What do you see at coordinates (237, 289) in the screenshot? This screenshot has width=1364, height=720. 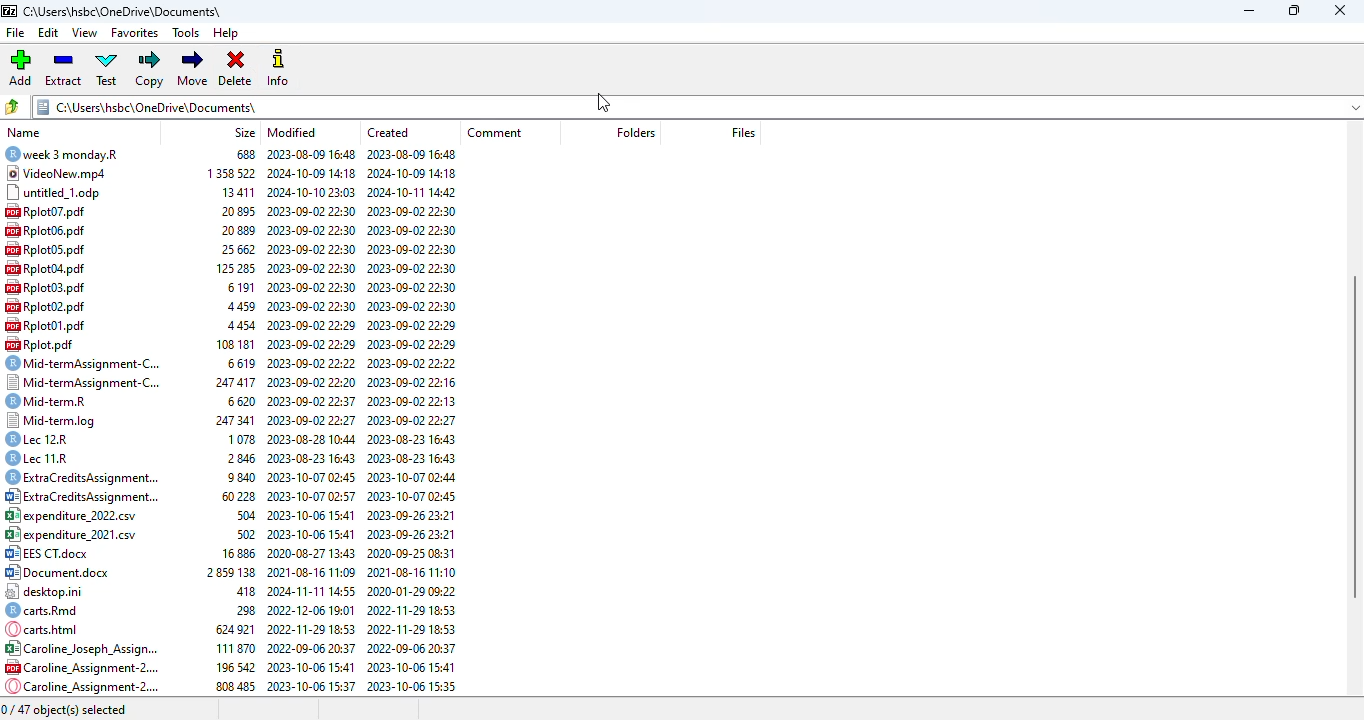 I see `6191` at bounding box center [237, 289].